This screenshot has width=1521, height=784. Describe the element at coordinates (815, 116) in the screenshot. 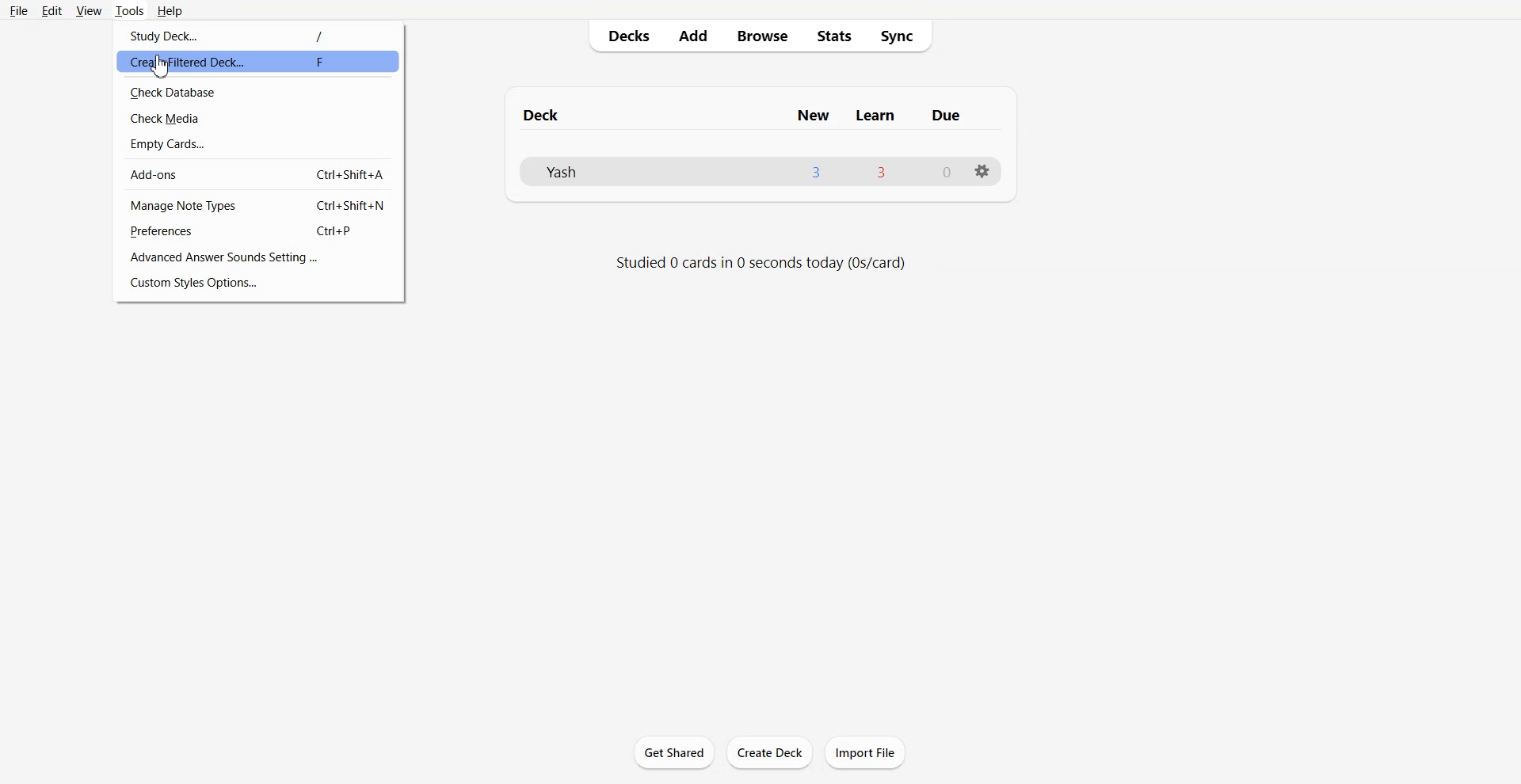

I see `new` at that location.